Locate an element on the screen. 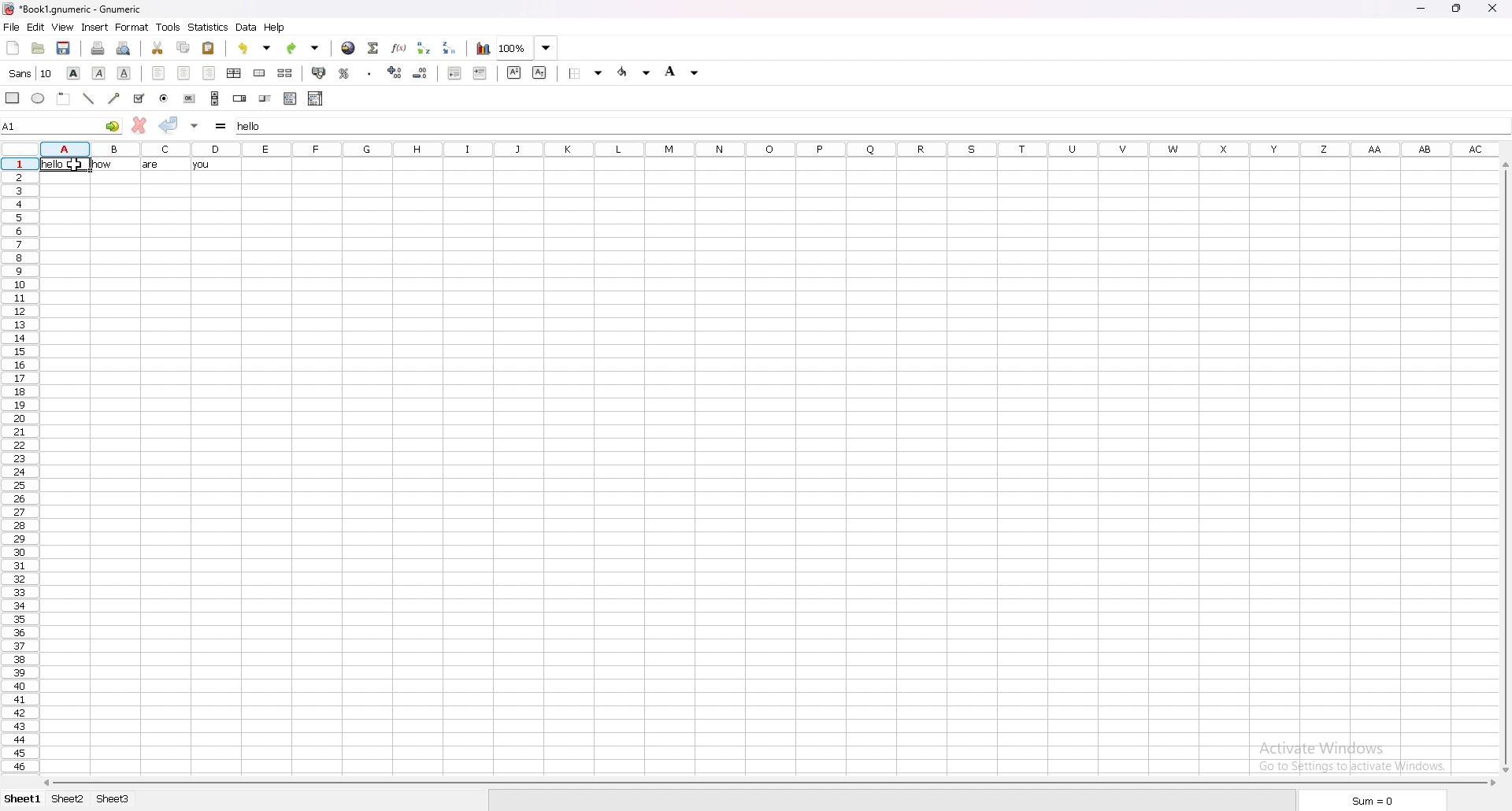  ellipse is located at coordinates (37, 98).